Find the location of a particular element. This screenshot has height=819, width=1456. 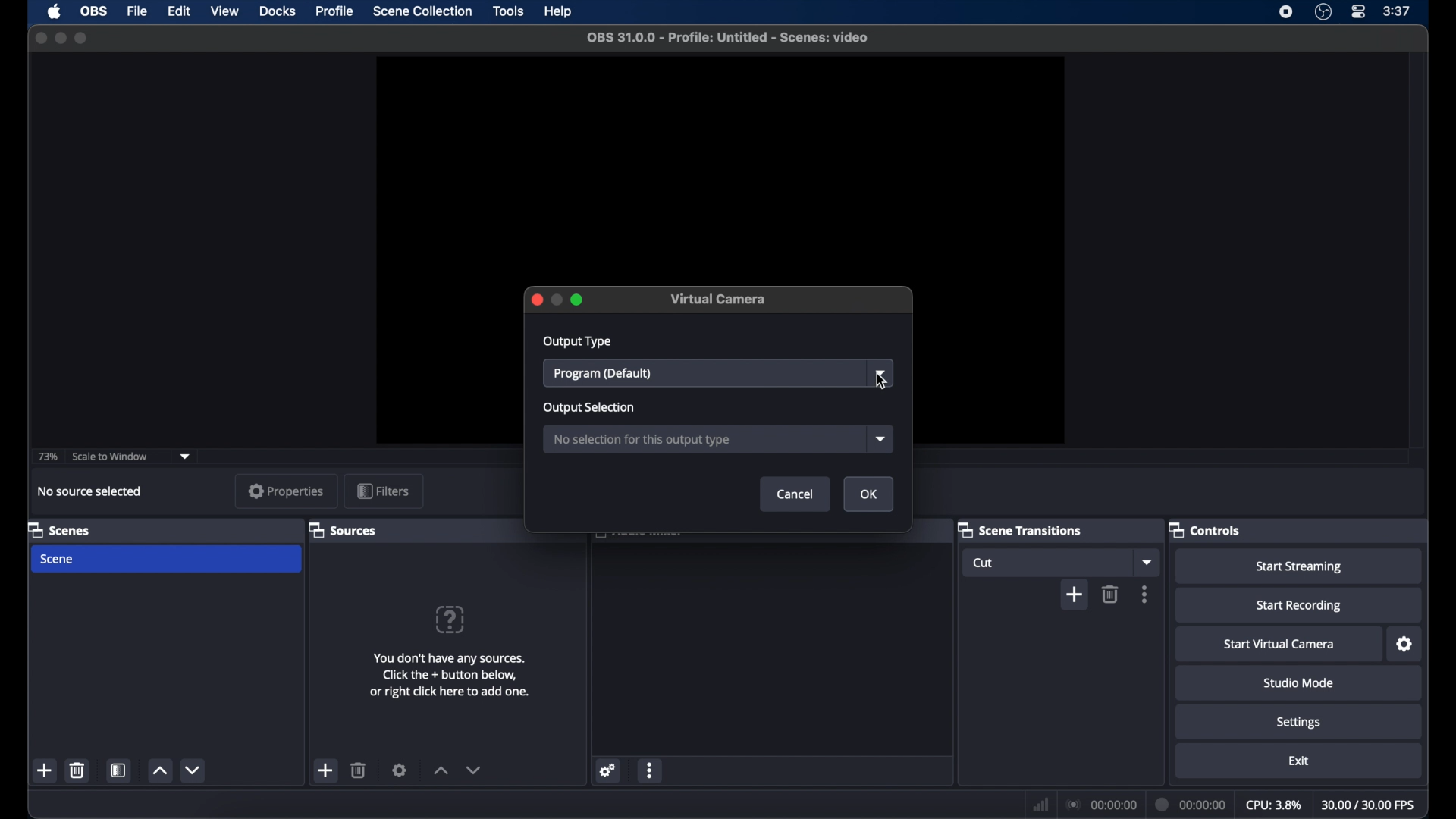

dropdown is located at coordinates (186, 456).